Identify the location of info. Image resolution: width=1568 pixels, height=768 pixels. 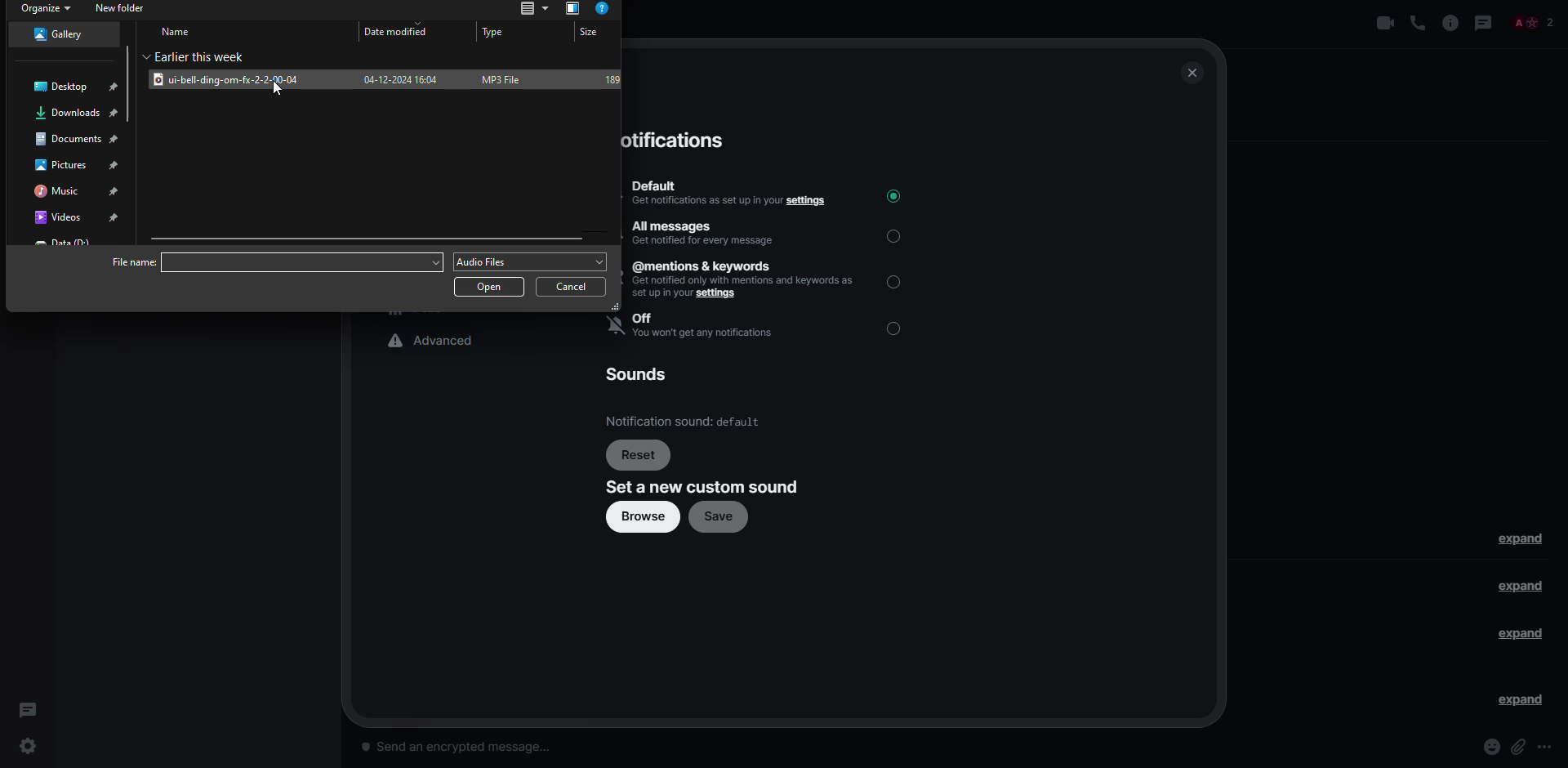
(604, 9).